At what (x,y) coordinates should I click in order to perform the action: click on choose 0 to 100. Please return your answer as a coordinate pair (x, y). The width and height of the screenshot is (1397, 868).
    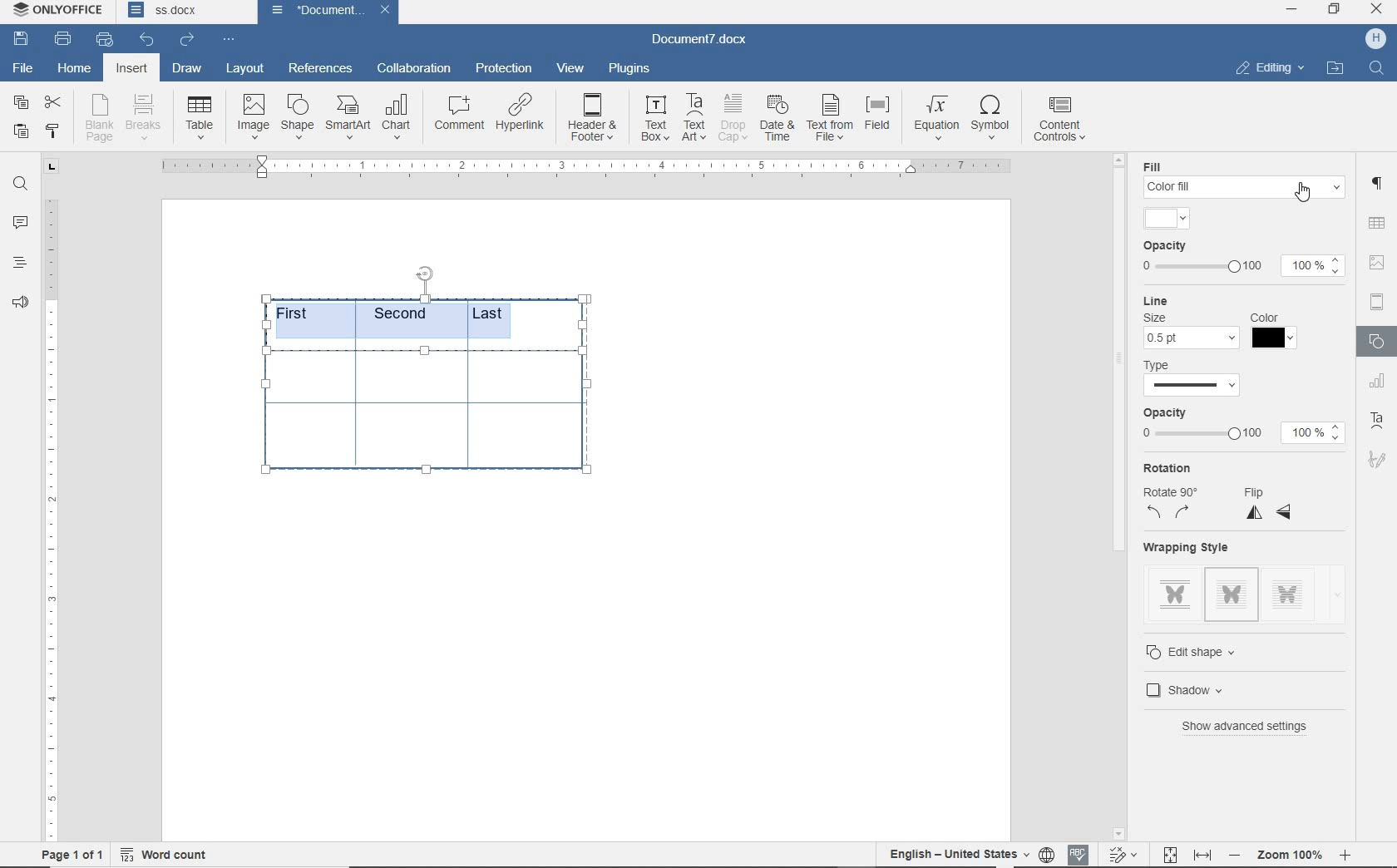
    Looking at the image, I should click on (1205, 435).